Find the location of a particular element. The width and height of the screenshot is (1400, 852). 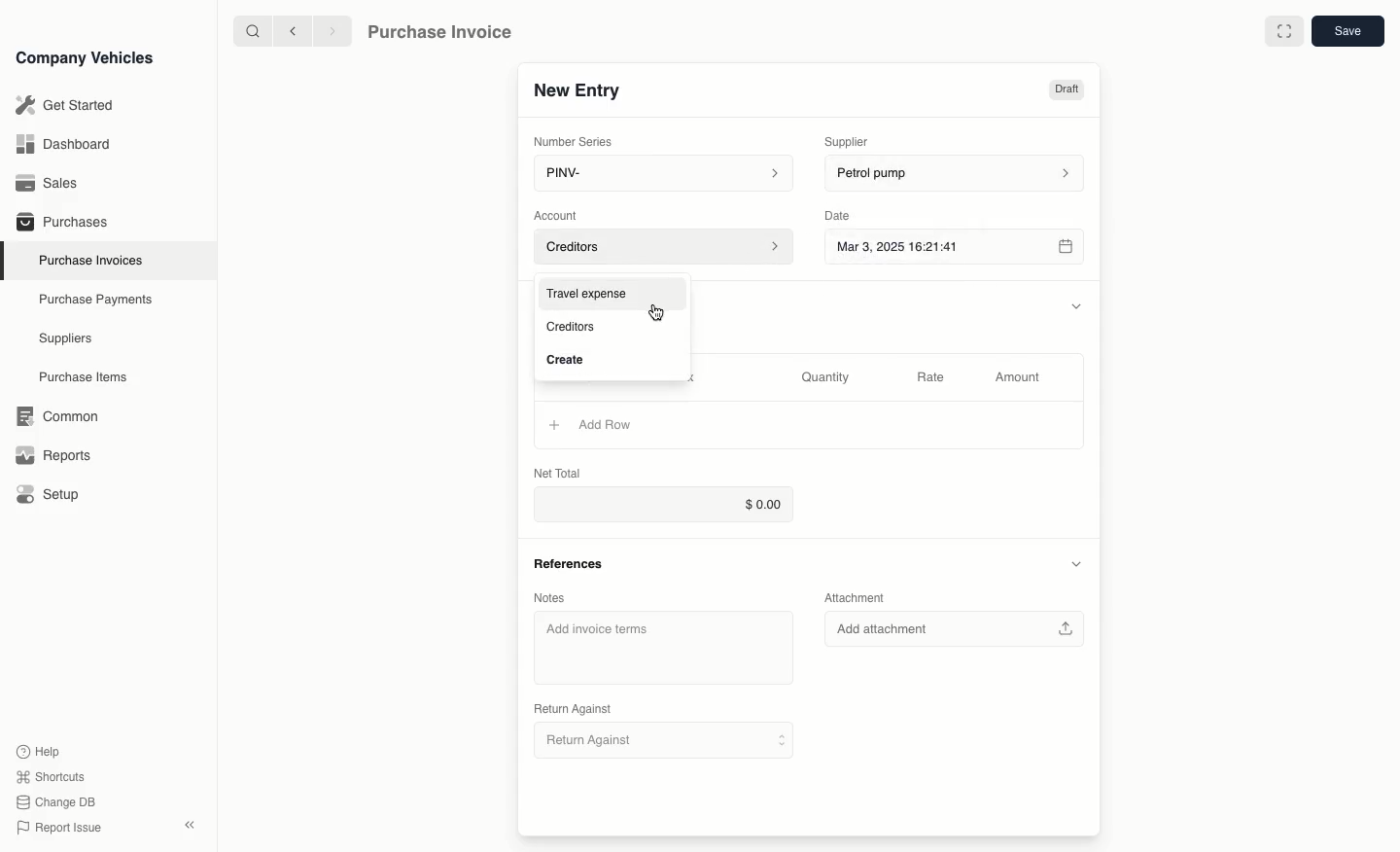

Account is located at coordinates (660, 247).